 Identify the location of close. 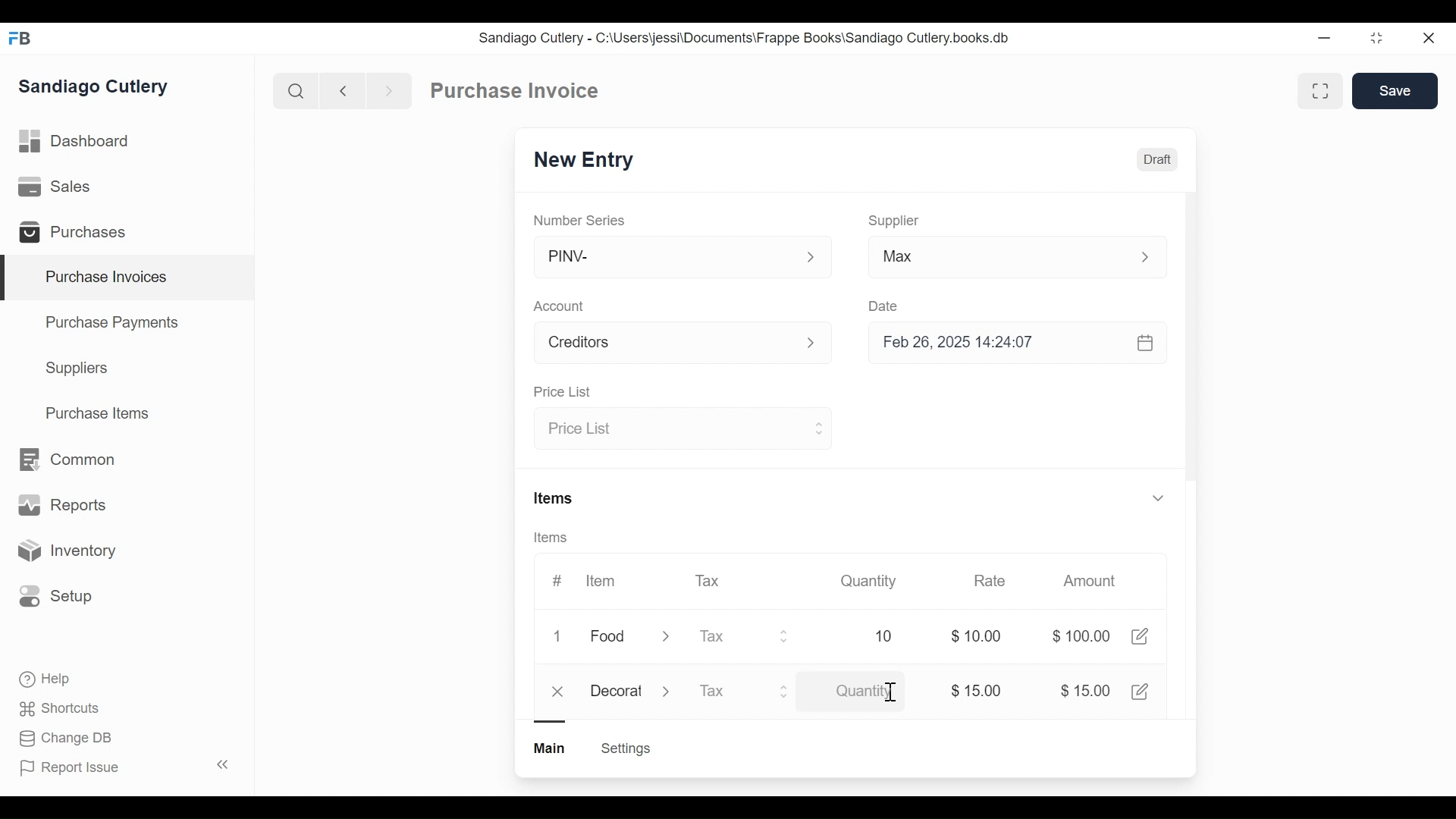
(1427, 39).